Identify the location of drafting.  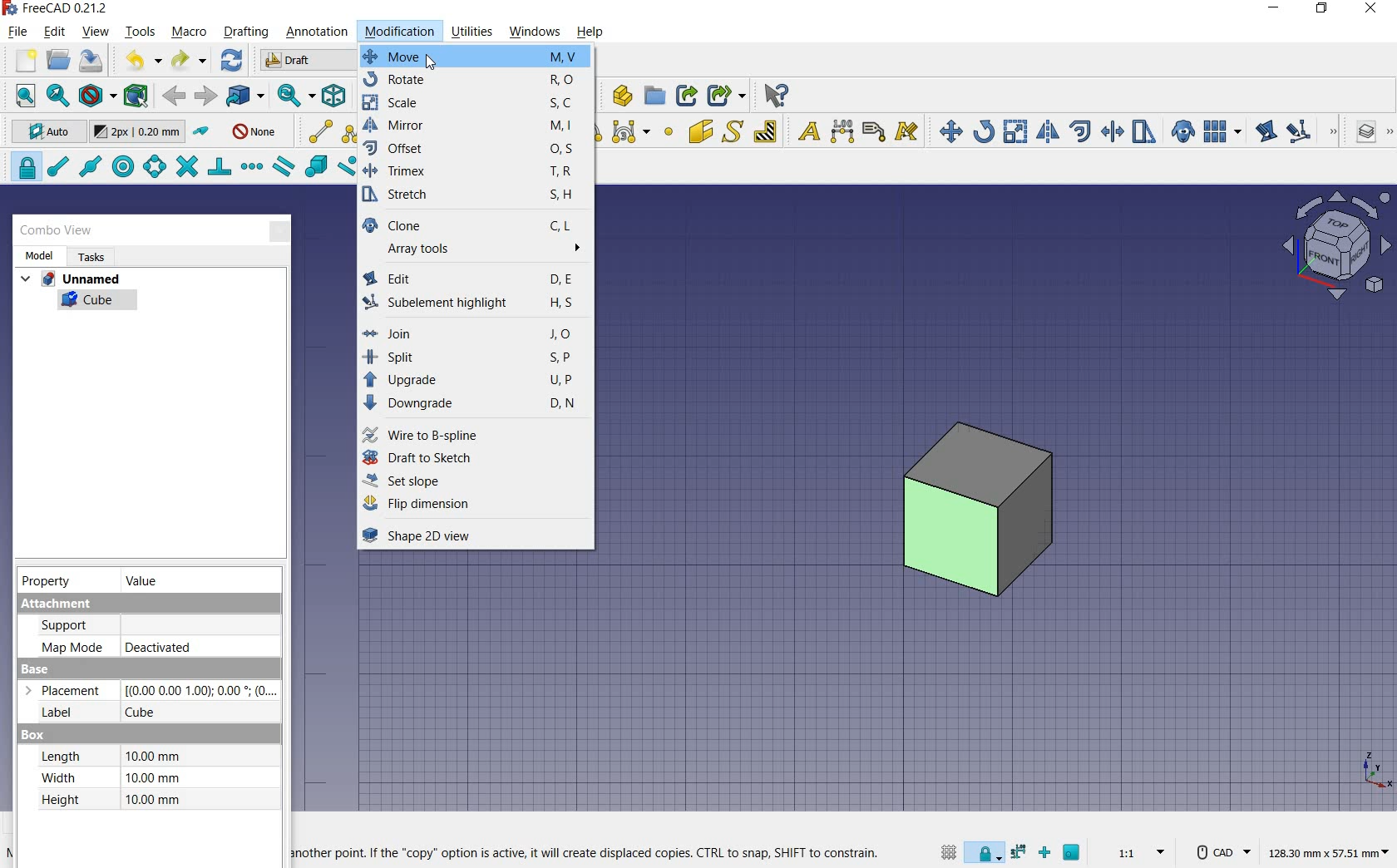
(246, 32).